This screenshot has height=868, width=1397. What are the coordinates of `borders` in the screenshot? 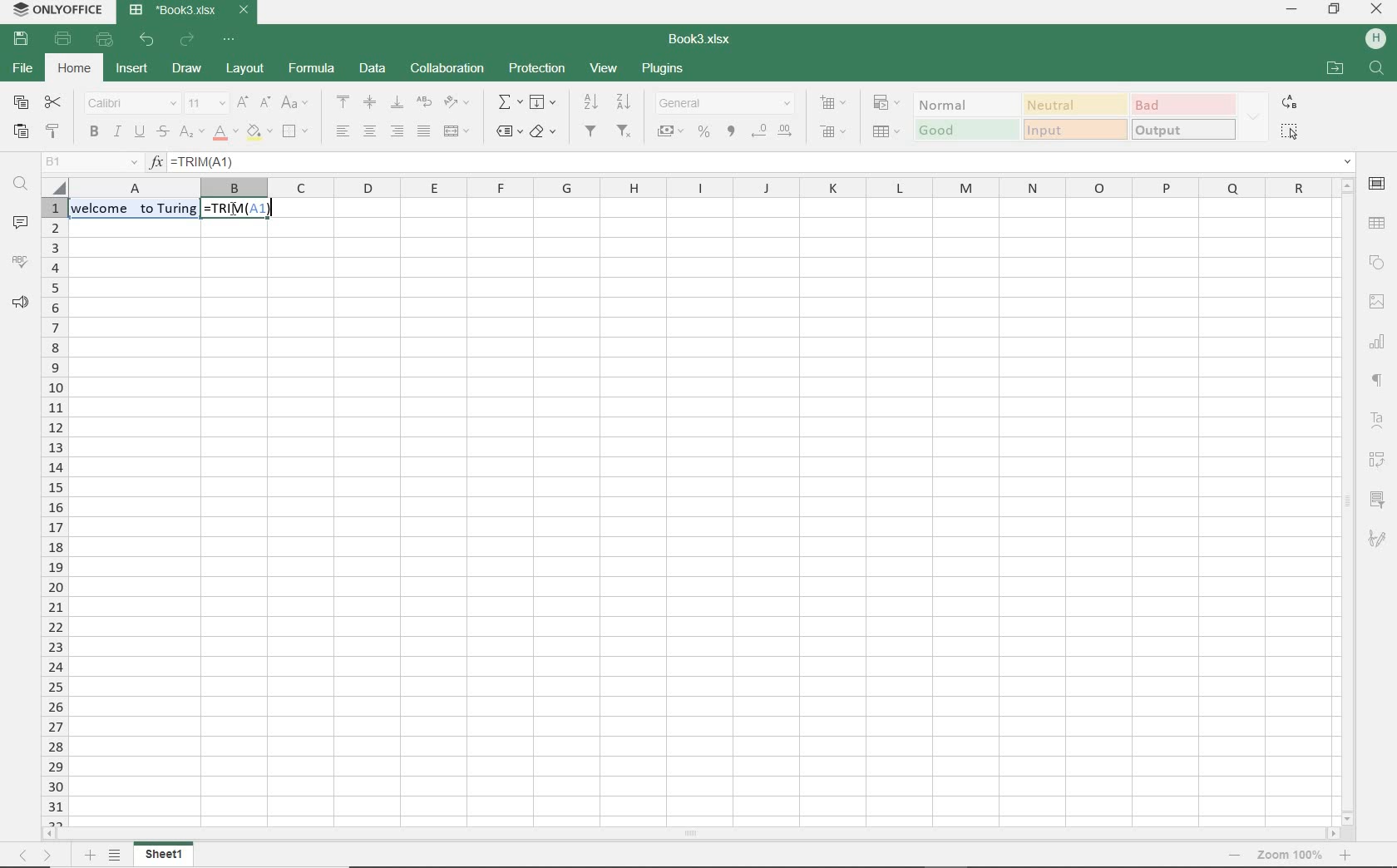 It's located at (295, 132).